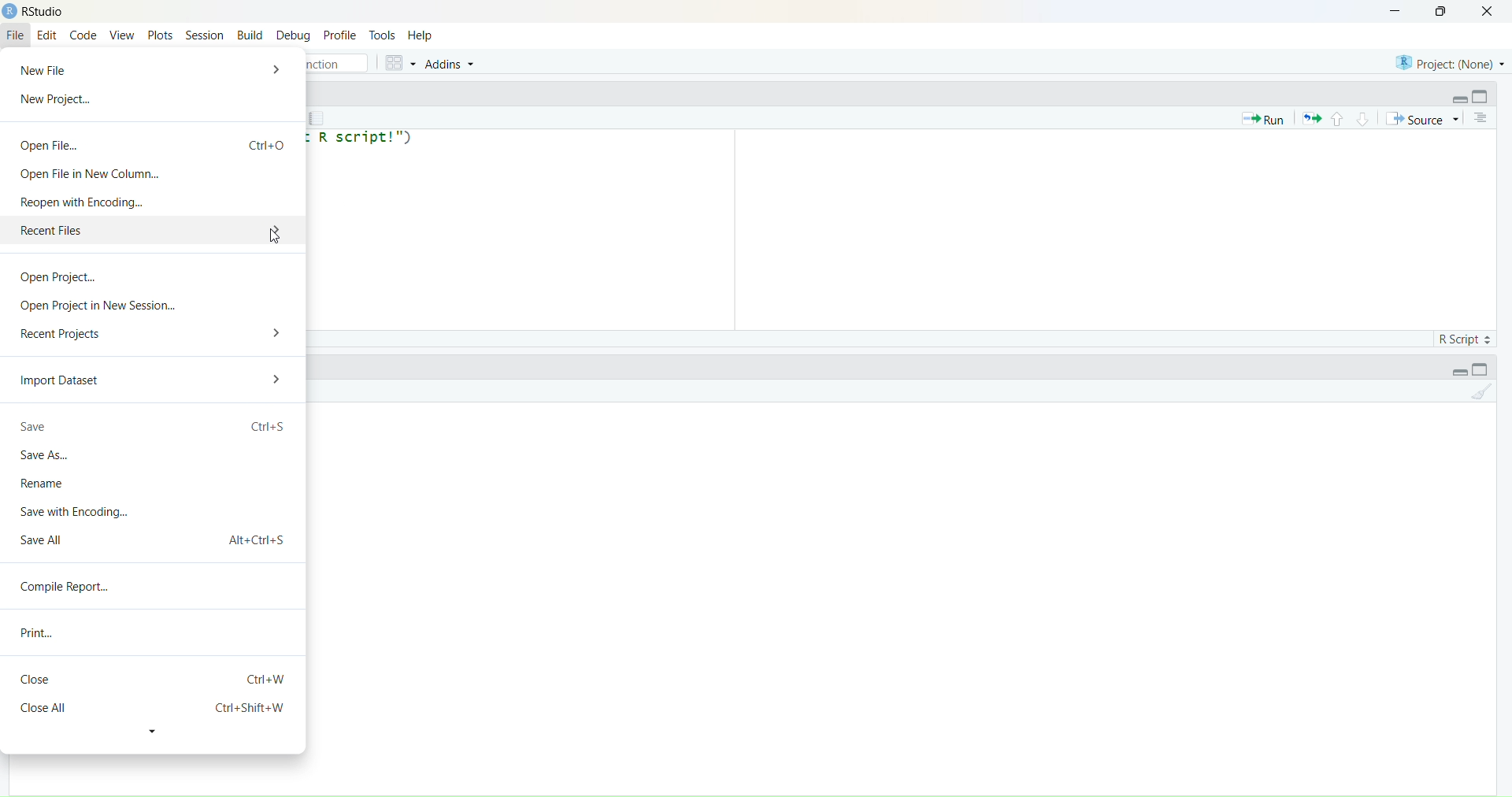  I want to click on Import Dataset, so click(63, 382).